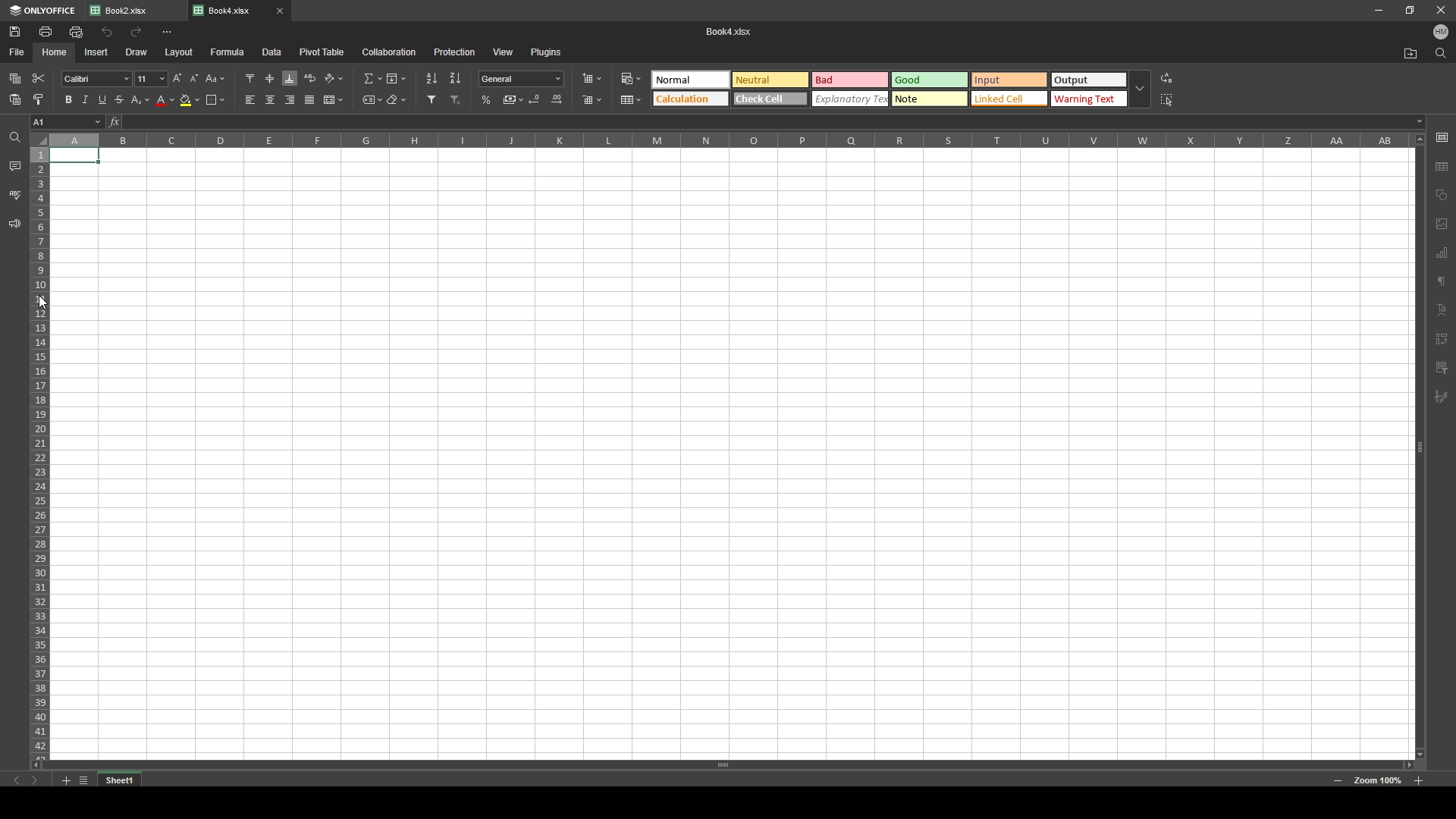 Image resolution: width=1456 pixels, height=819 pixels. I want to click on shapes, so click(1442, 194).